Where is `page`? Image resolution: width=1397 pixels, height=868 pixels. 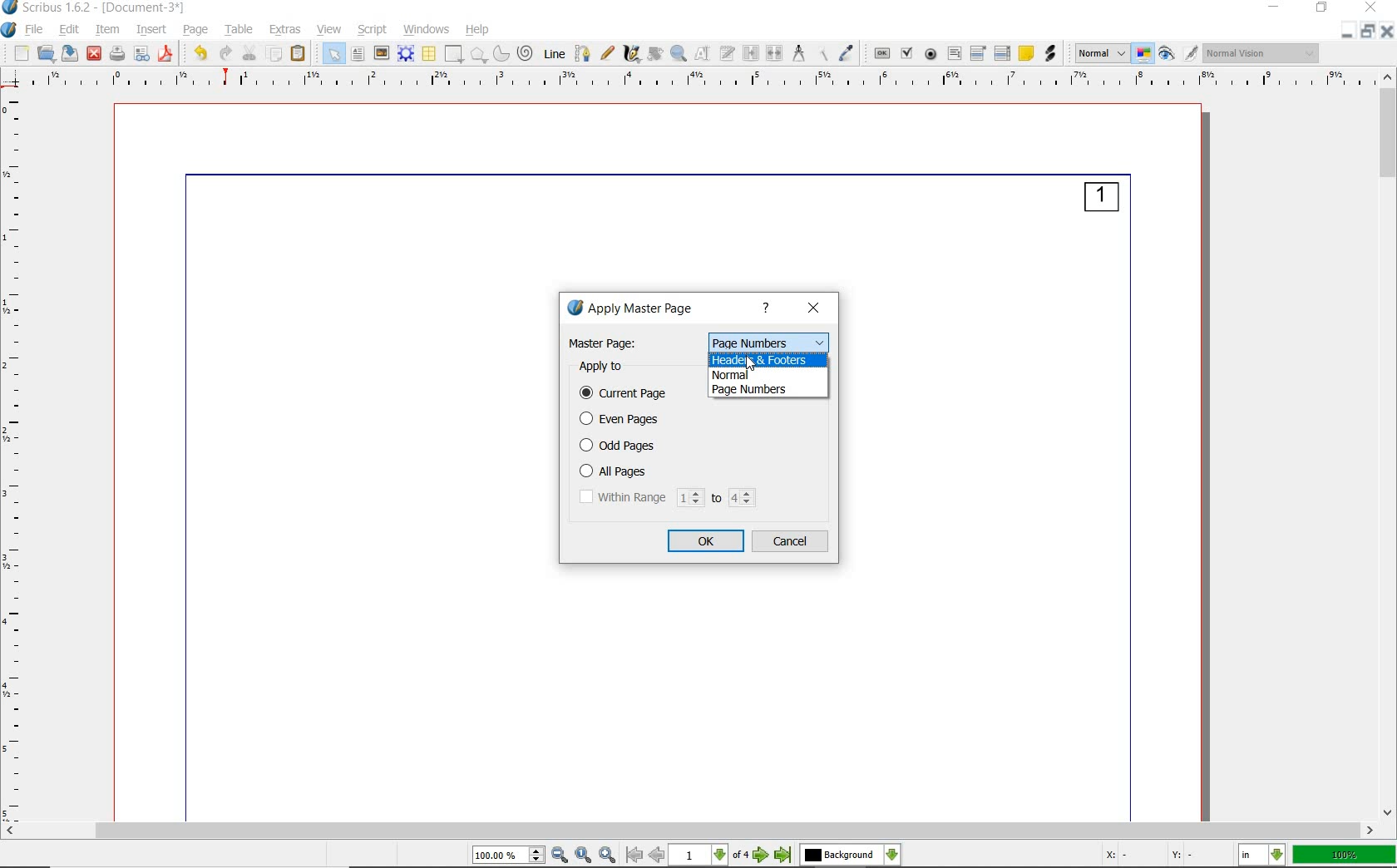
page is located at coordinates (195, 29).